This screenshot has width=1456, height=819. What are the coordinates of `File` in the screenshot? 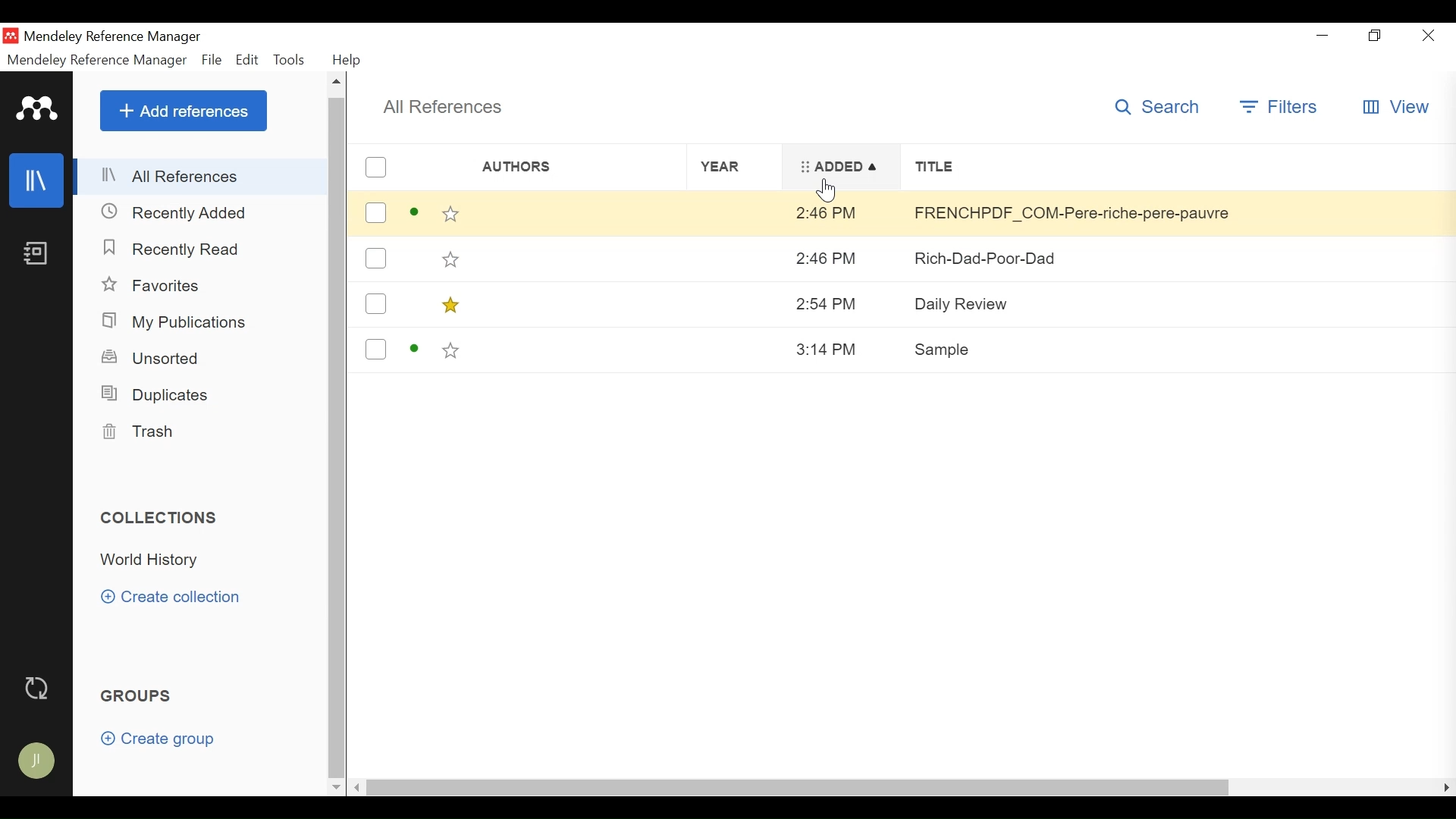 It's located at (212, 60).